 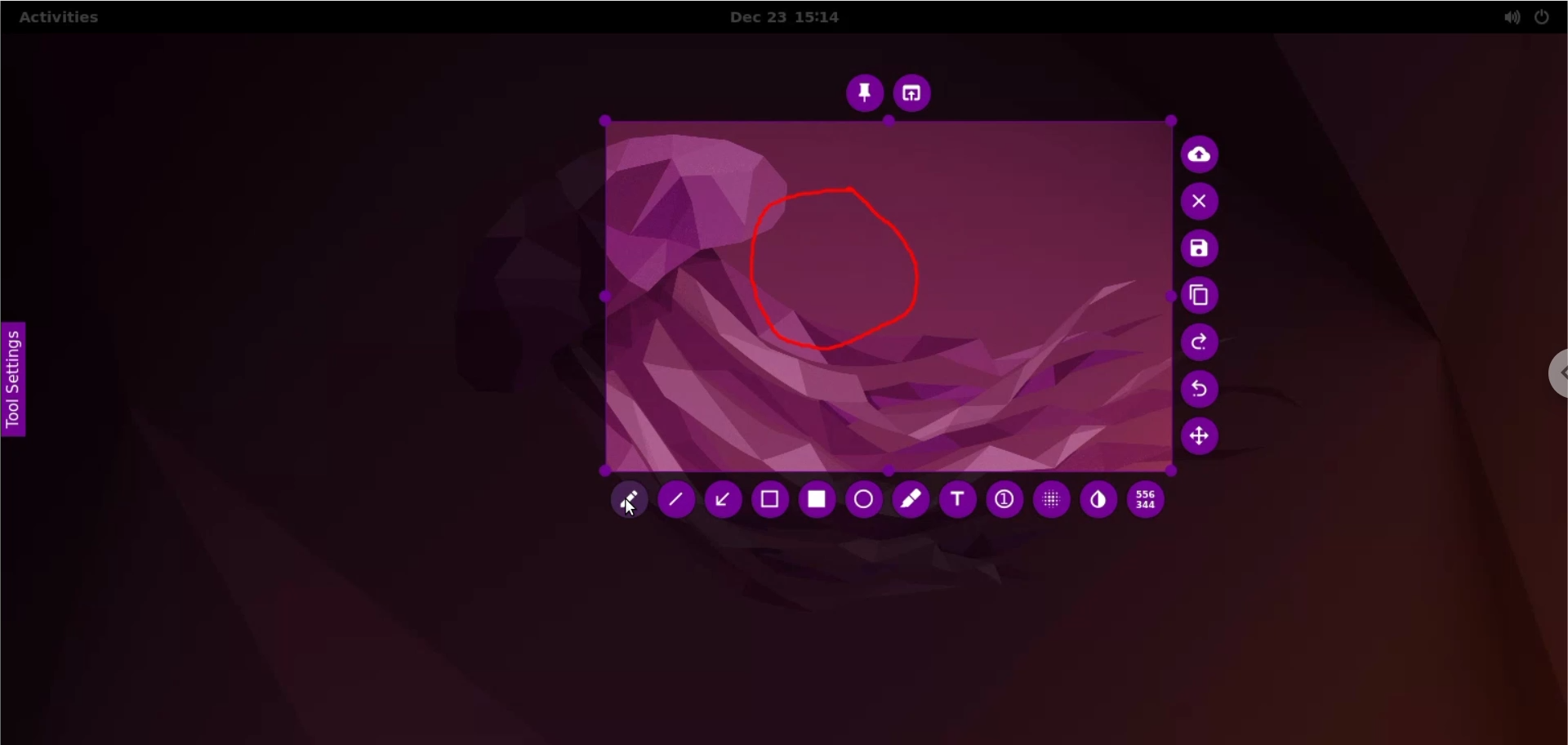 What do you see at coordinates (626, 500) in the screenshot?
I see `pencil` at bounding box center [626, 500].